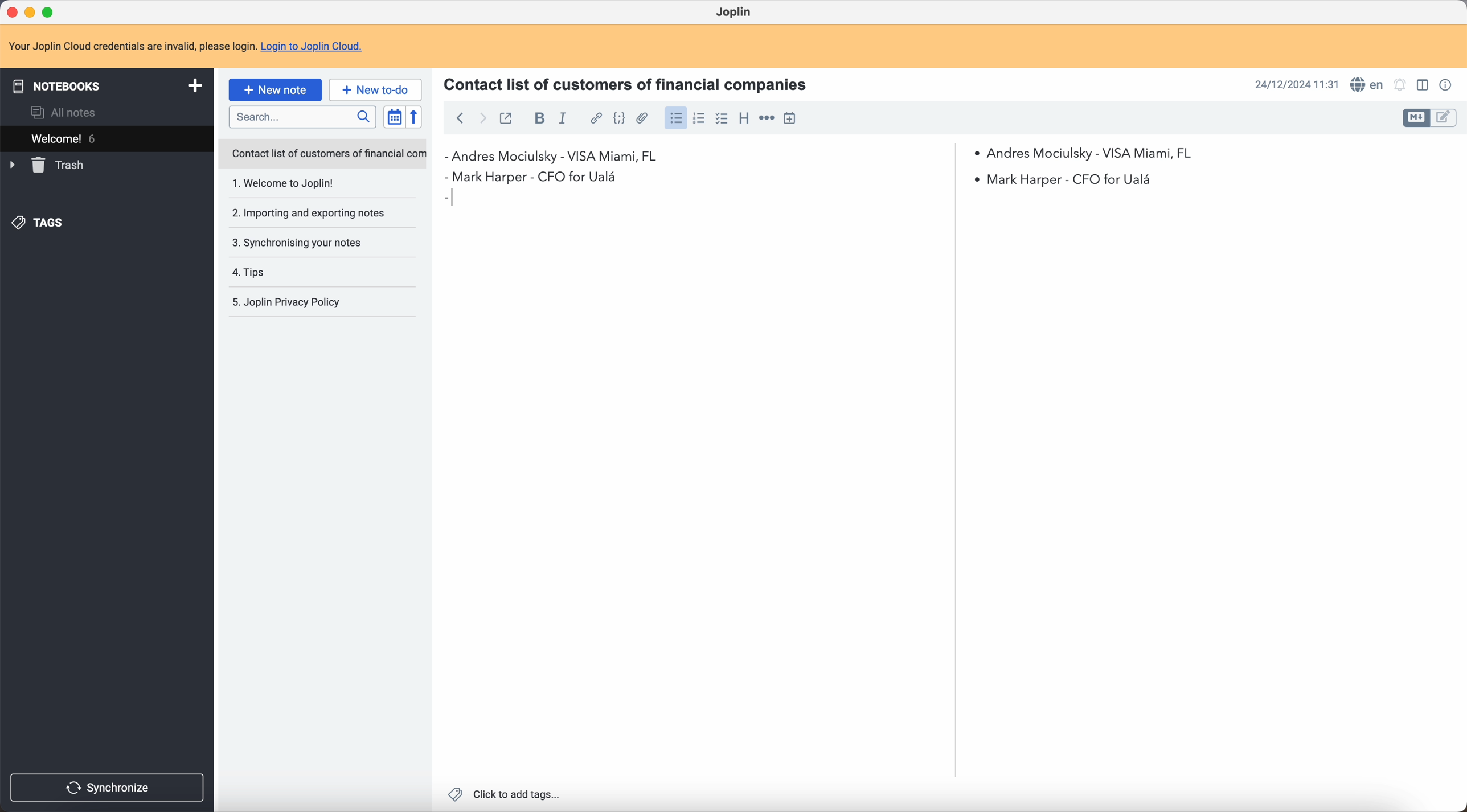 This screenshot has width=1467, height=812. What do you see at coordinates (805, 177) in the screenshot?
I see `Mark Harper` at bounding box center [805, 177].